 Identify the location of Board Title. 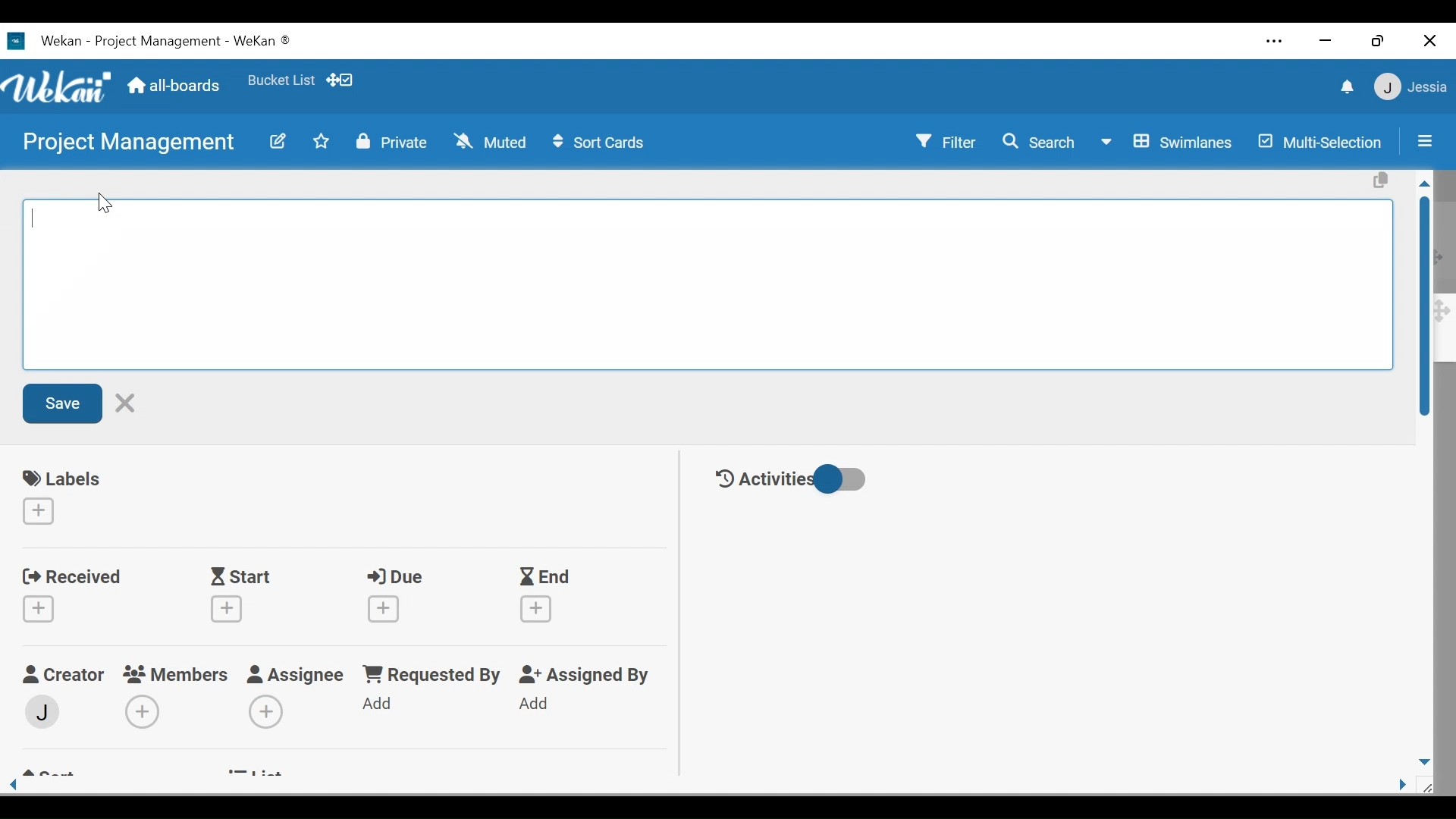
(129, 145).